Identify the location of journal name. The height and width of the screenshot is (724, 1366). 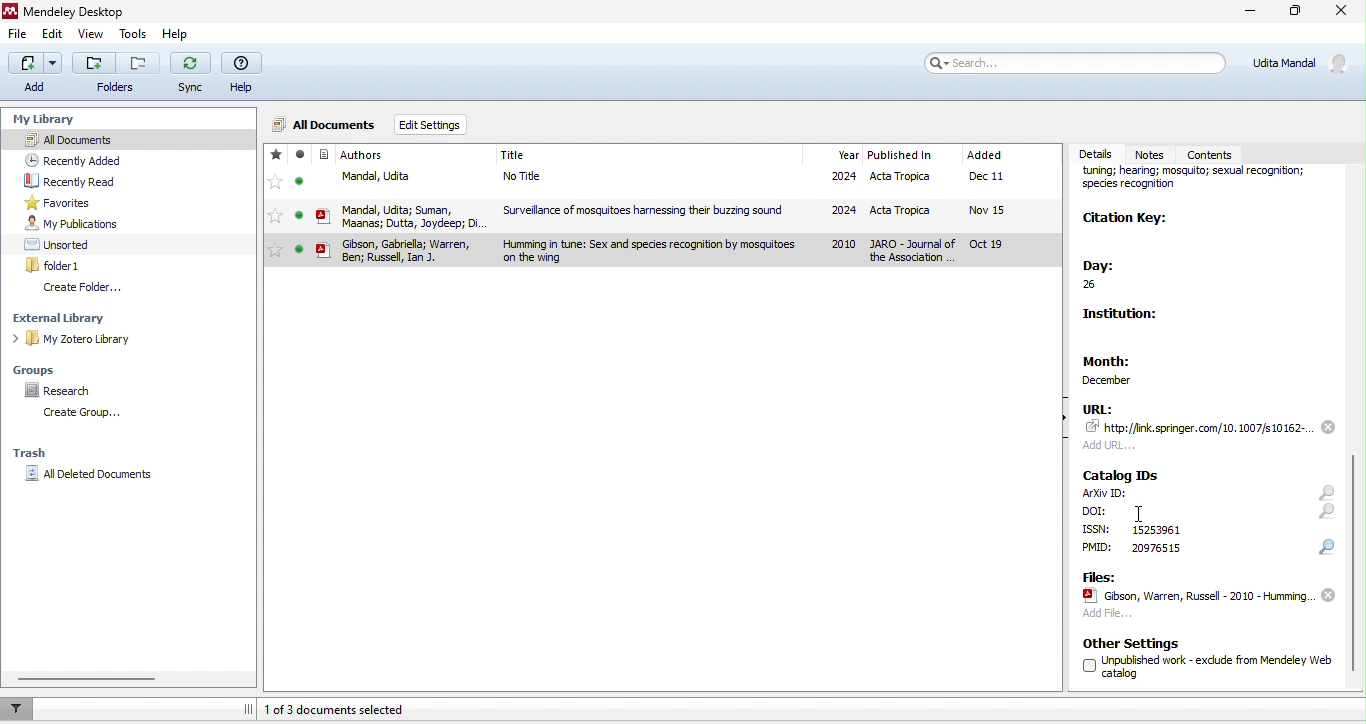
(1203, 185).